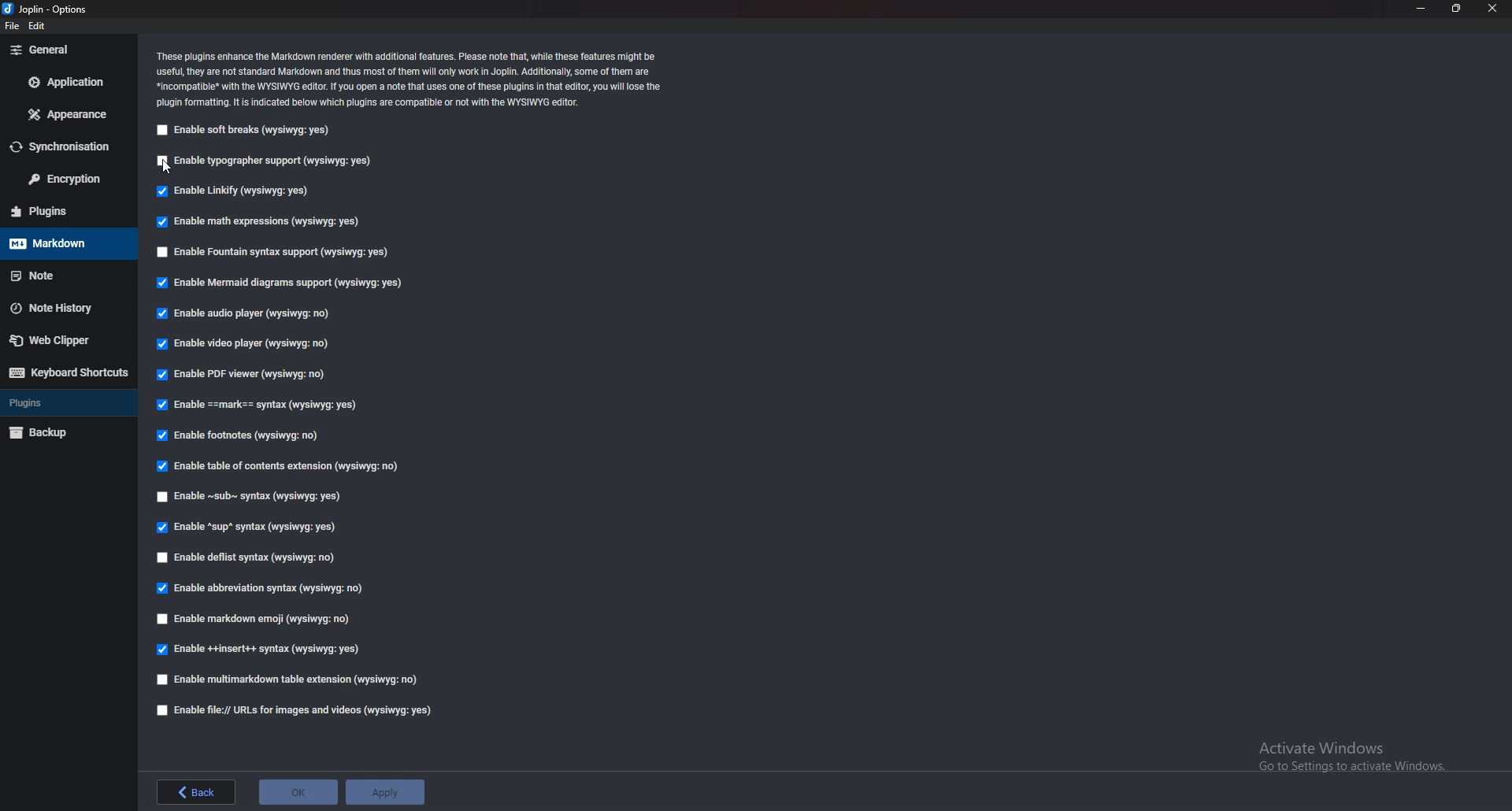 Image resolution: width=1512 pixels, height=811 pixels. What do you see at coordinates (38, 26) in the screenshot?
I see `edit` at bounding box center [38, 26].